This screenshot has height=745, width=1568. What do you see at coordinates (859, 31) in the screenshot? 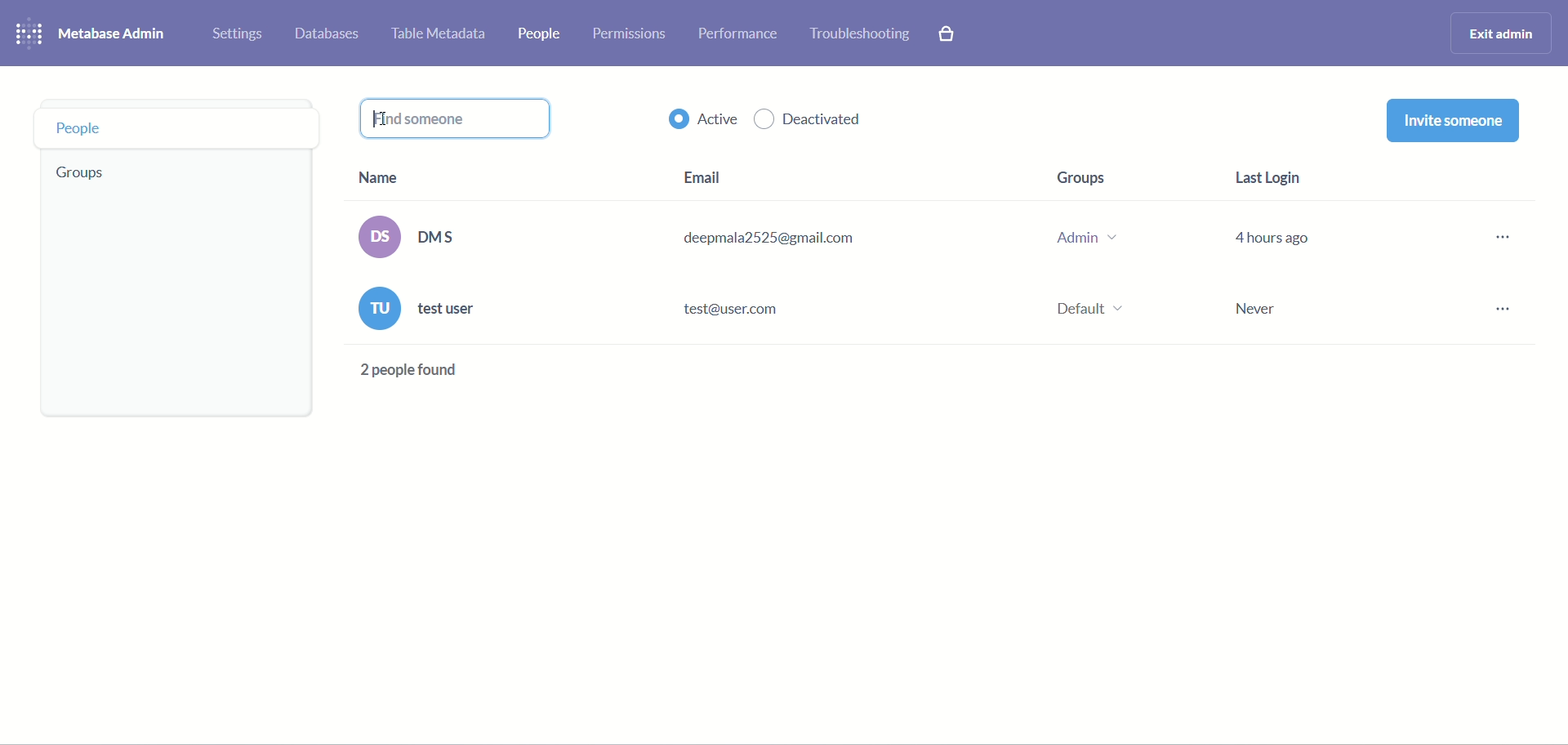
I see `troubleshooting` at bounding box center [859, 31].